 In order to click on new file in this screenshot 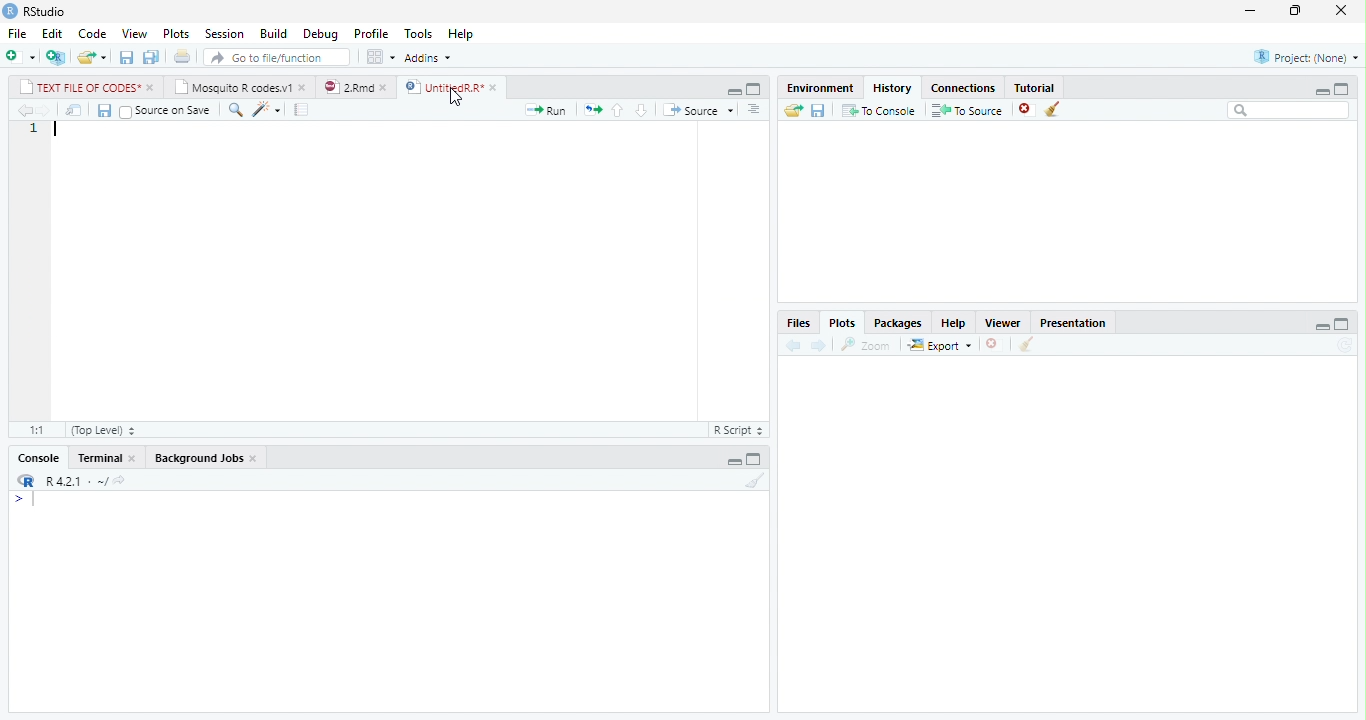, I will do `click(21, 56)`.